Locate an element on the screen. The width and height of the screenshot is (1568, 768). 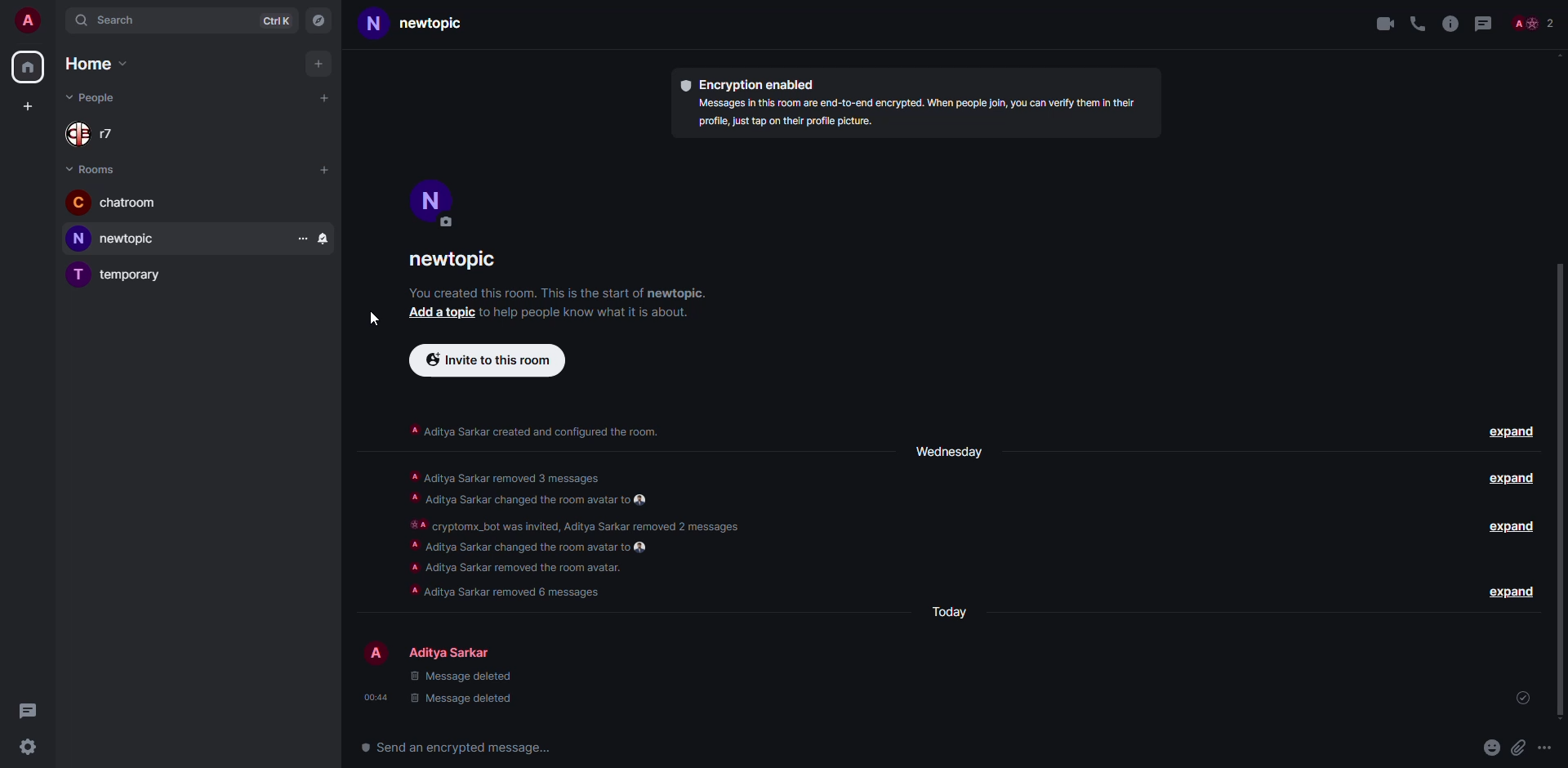
people is located at coordinates (1539, 21).